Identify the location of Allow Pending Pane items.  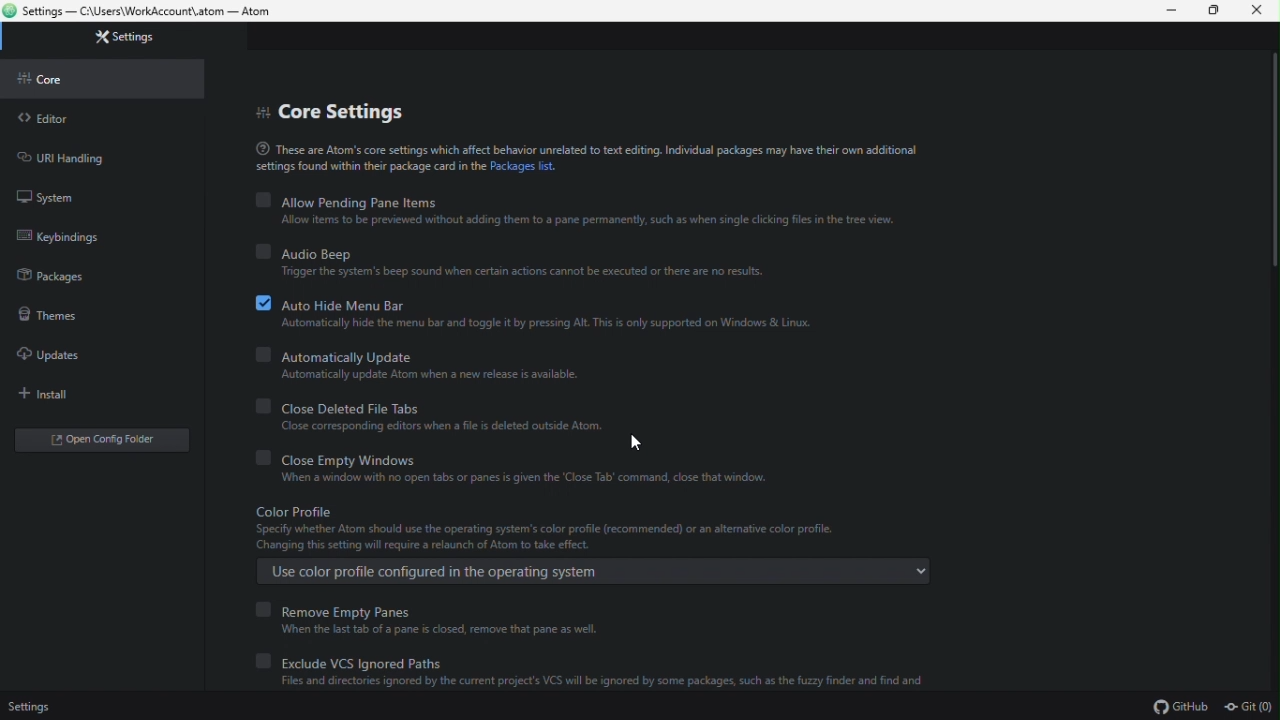
(352, 199).